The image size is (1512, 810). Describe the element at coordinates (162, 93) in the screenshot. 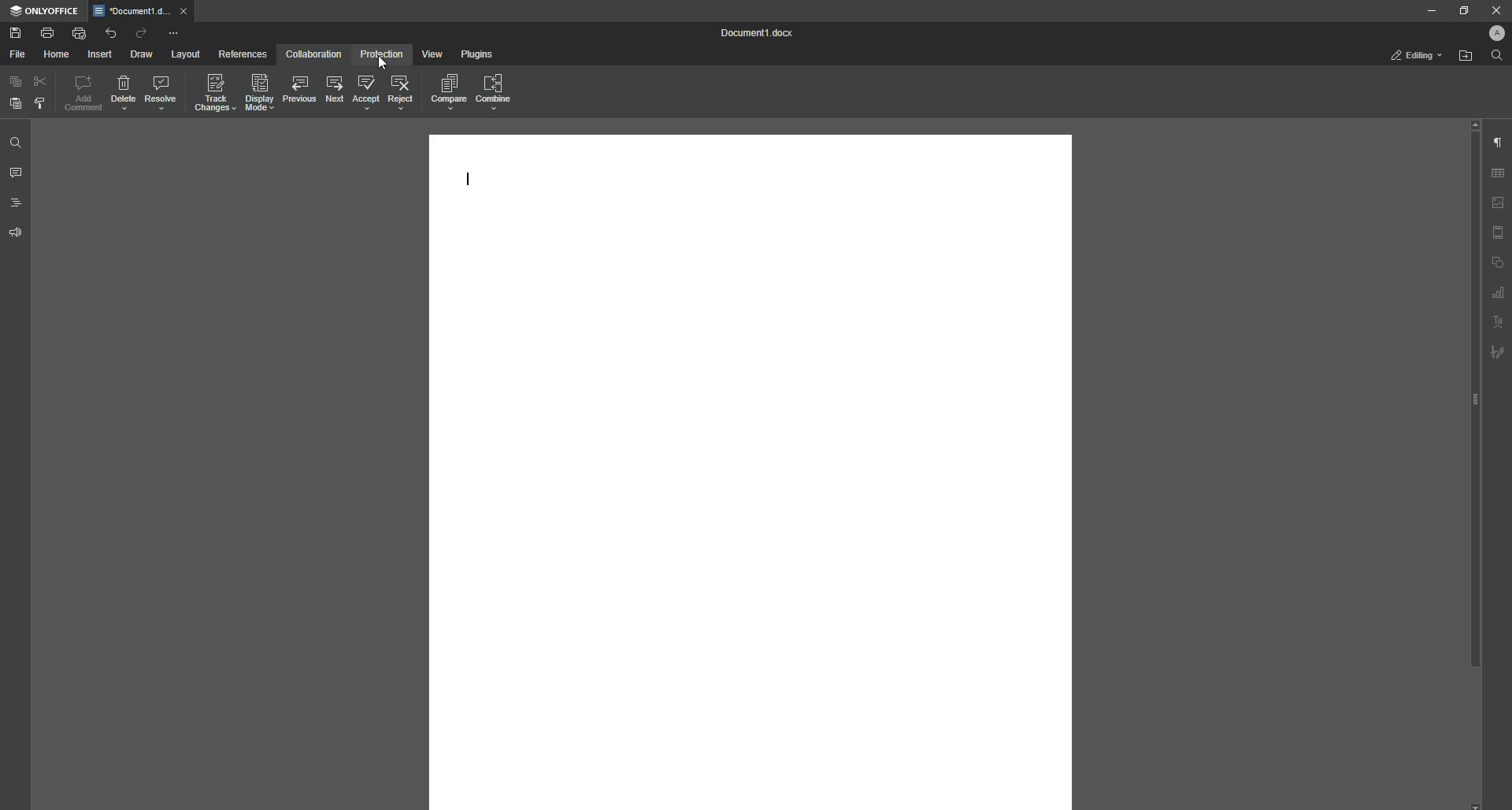

I see `Resolve` at that location.